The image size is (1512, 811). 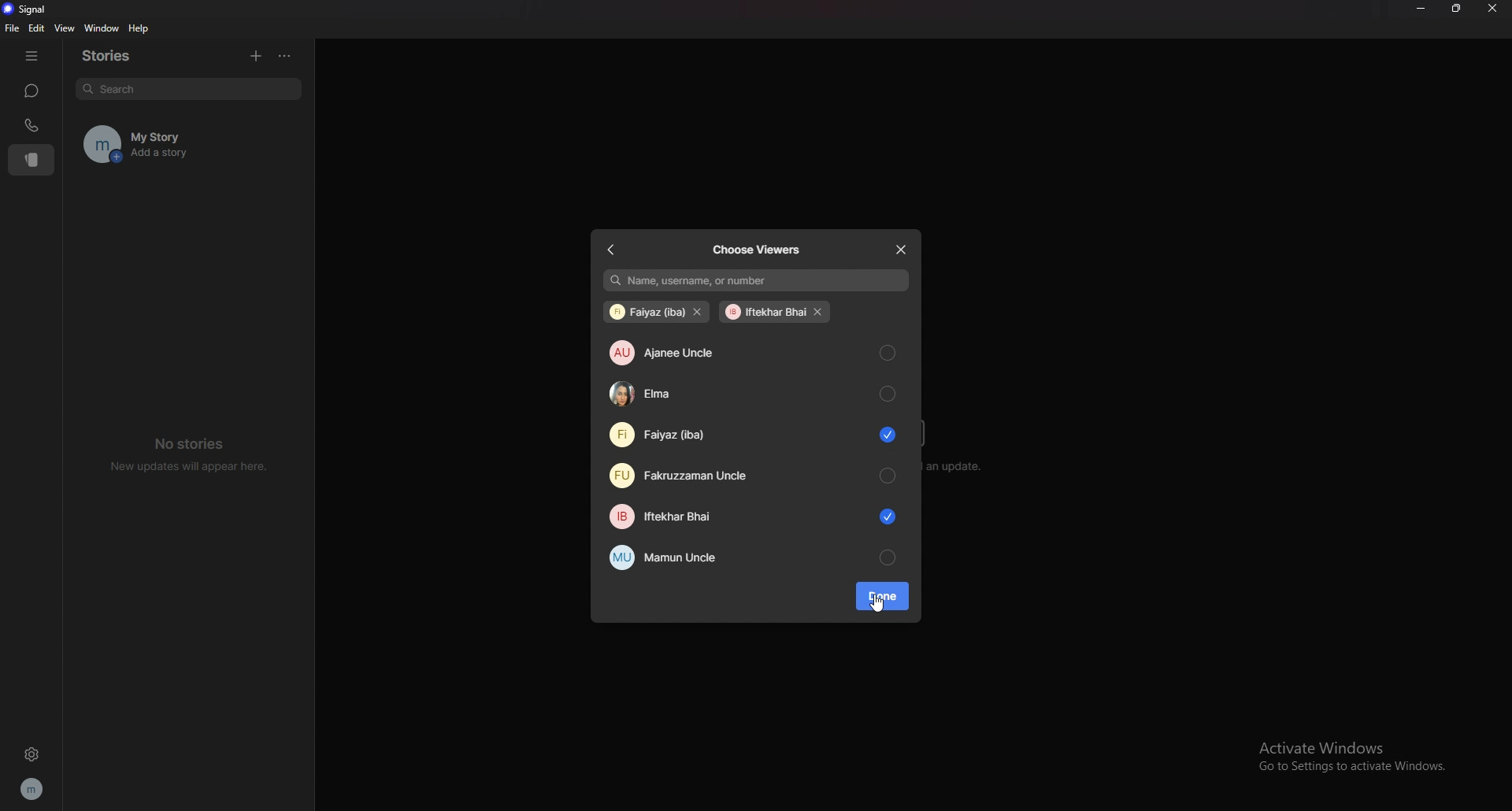 I want to click on file, so click(x=12, y=28).